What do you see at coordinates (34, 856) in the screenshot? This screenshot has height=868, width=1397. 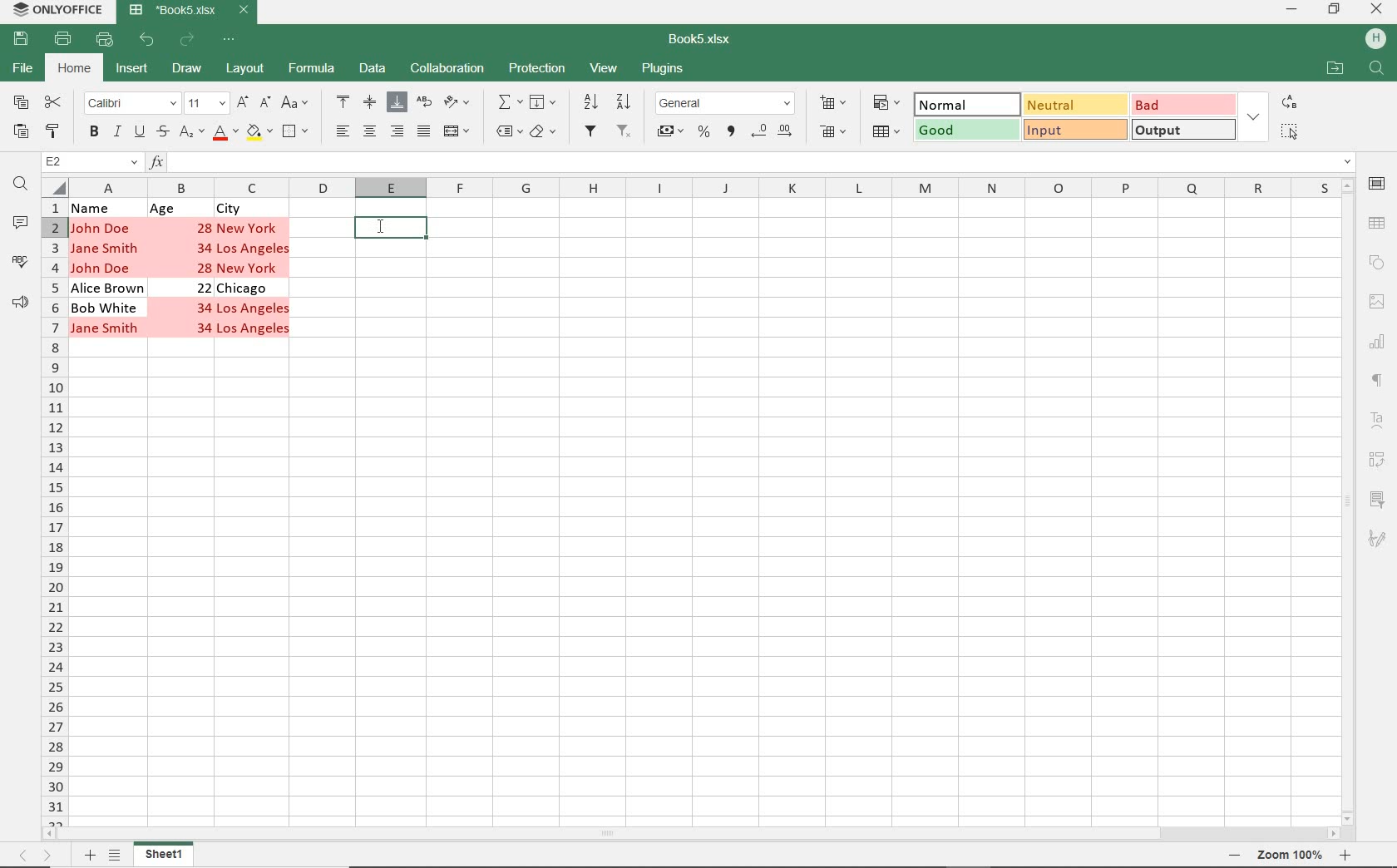 I see `MOVE SHEETS` at bounding box center [34, 856].